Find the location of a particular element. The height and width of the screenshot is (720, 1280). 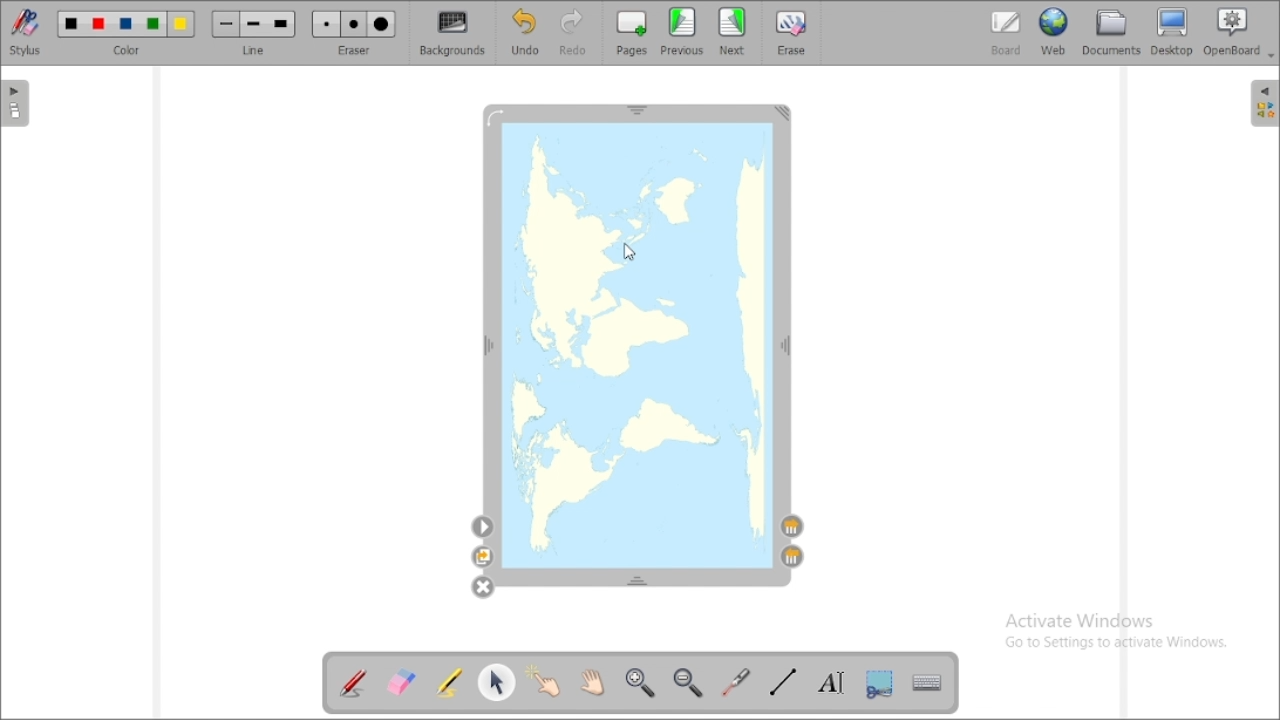

draw lines is located at coordinates (782, 683).